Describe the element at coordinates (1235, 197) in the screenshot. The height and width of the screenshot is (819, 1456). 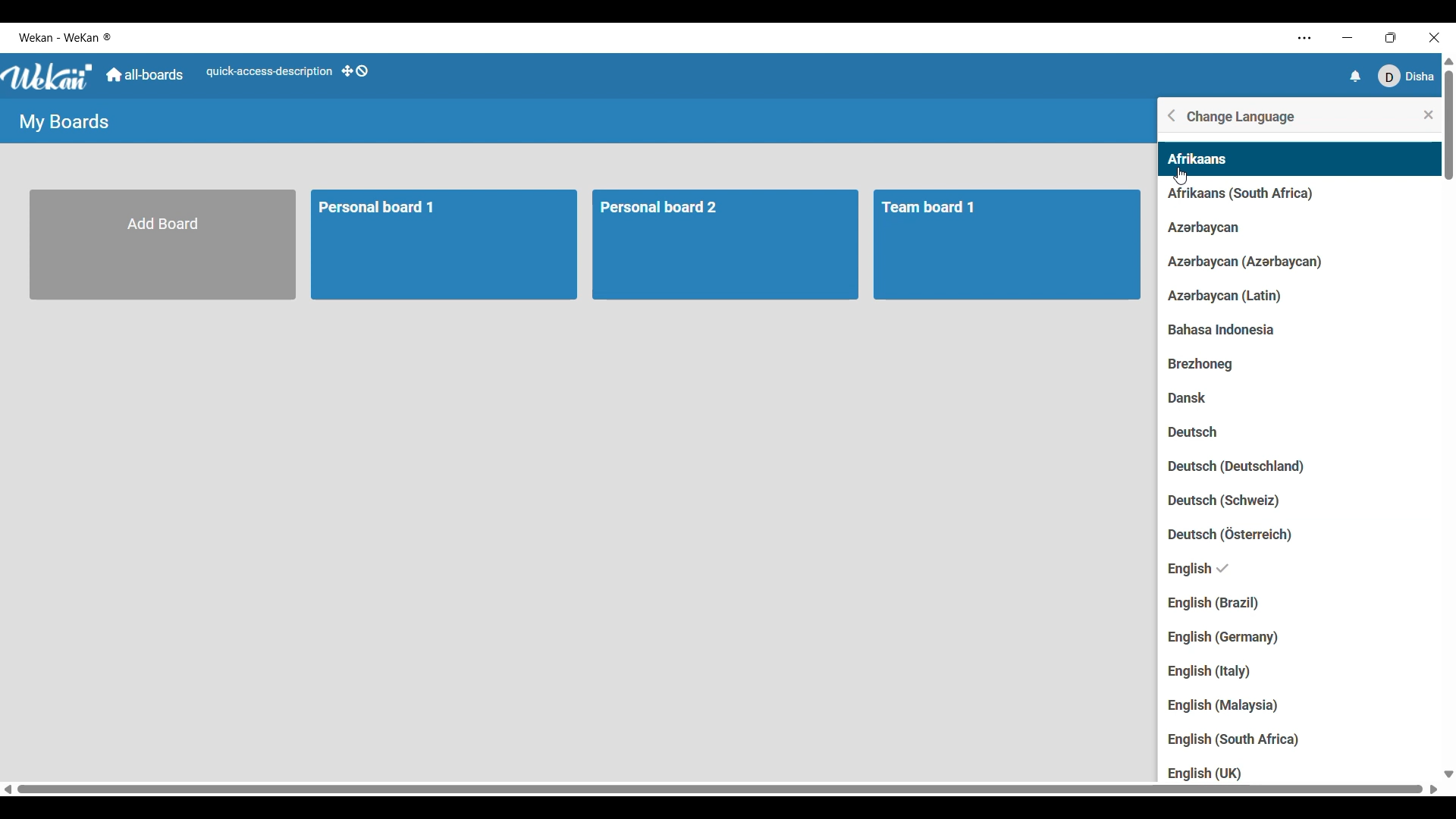
I see `Afrikaans (South Africa)` at that location.